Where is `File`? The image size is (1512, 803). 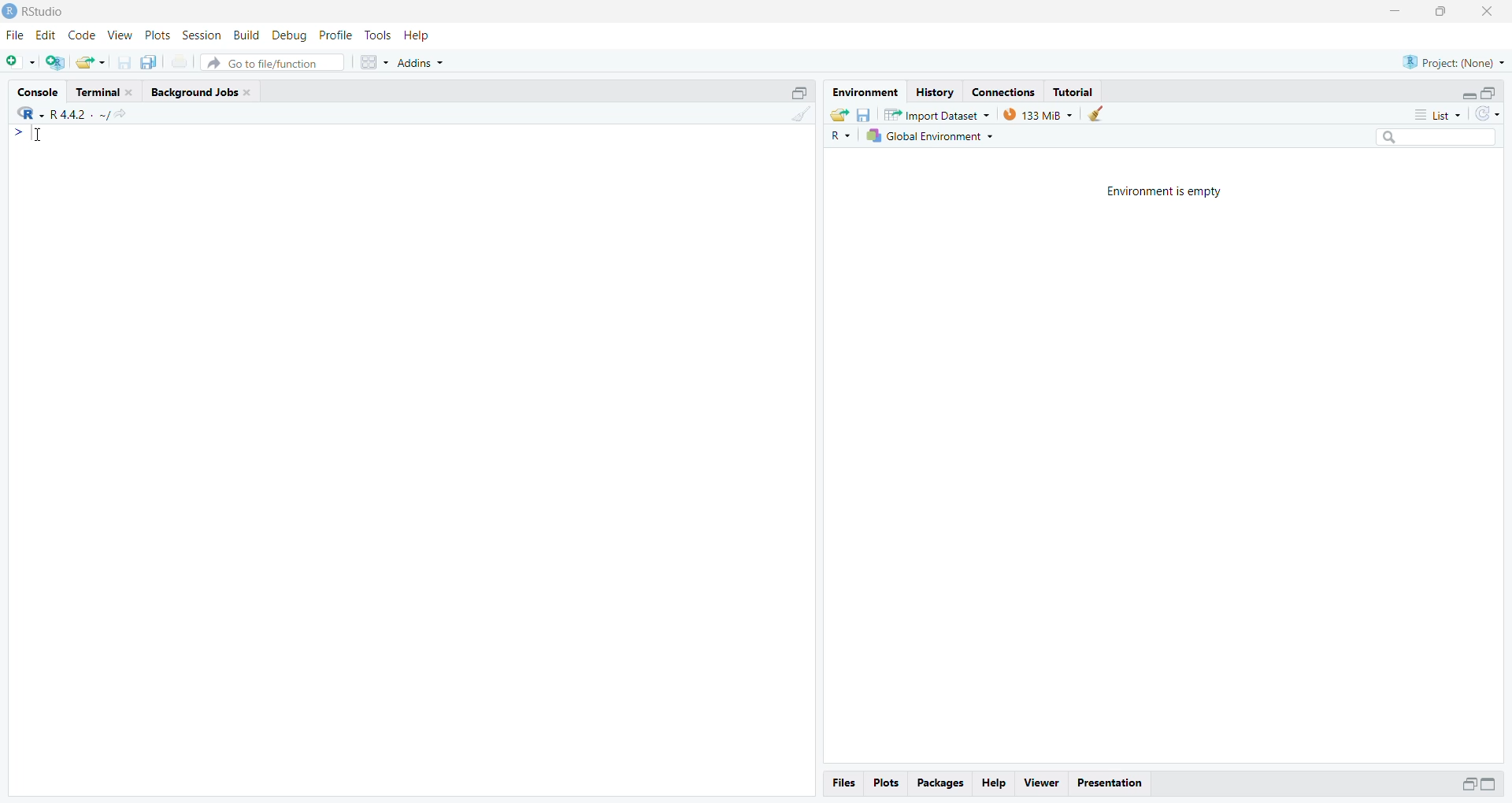 File is located at coordinates (15, 37).